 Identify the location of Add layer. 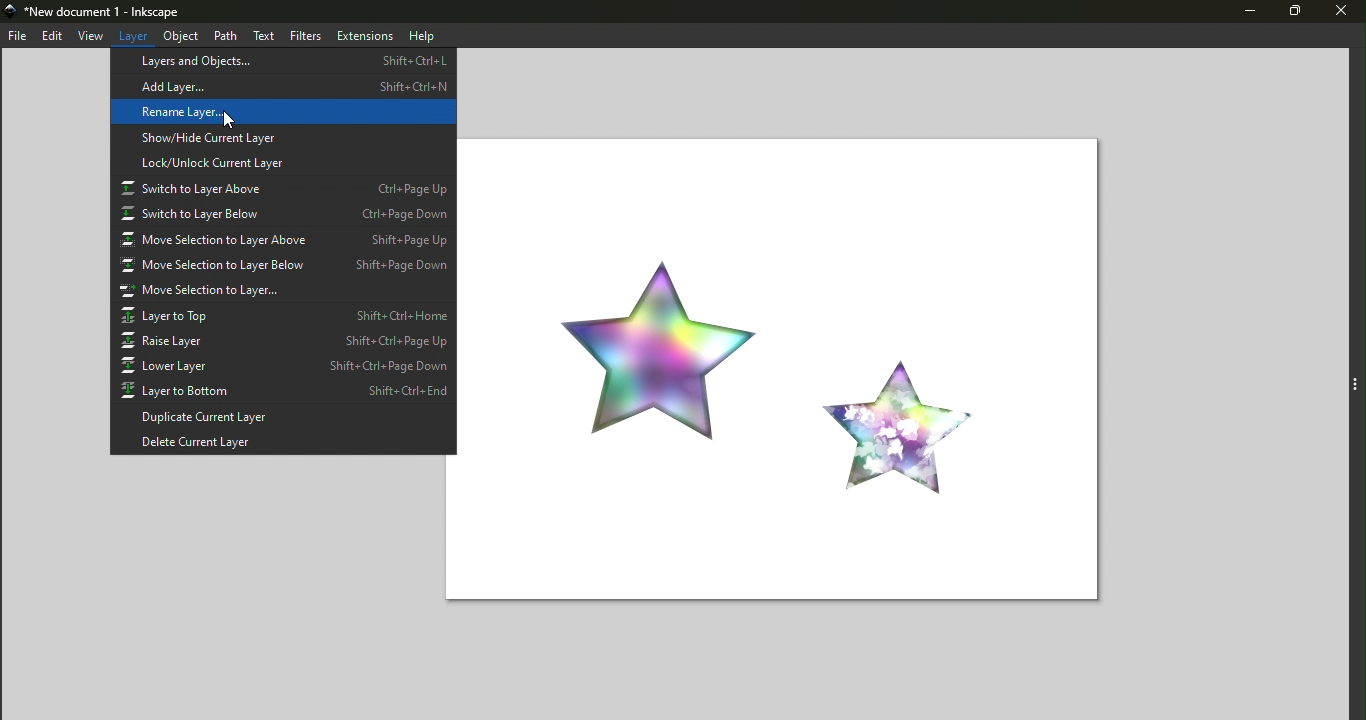
(284, 86).